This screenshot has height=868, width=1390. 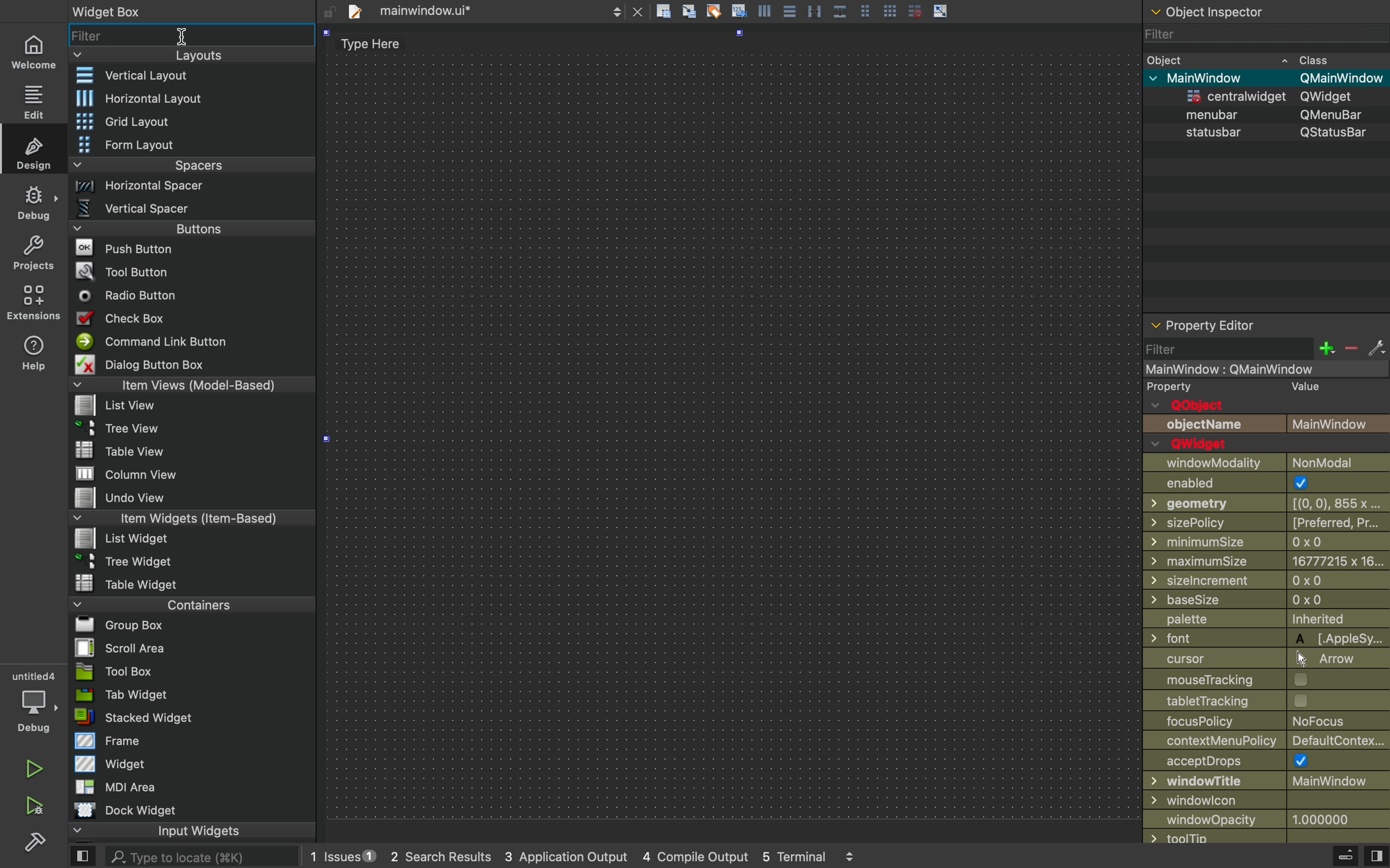 I want to click on help, so click(x=34, y=356).